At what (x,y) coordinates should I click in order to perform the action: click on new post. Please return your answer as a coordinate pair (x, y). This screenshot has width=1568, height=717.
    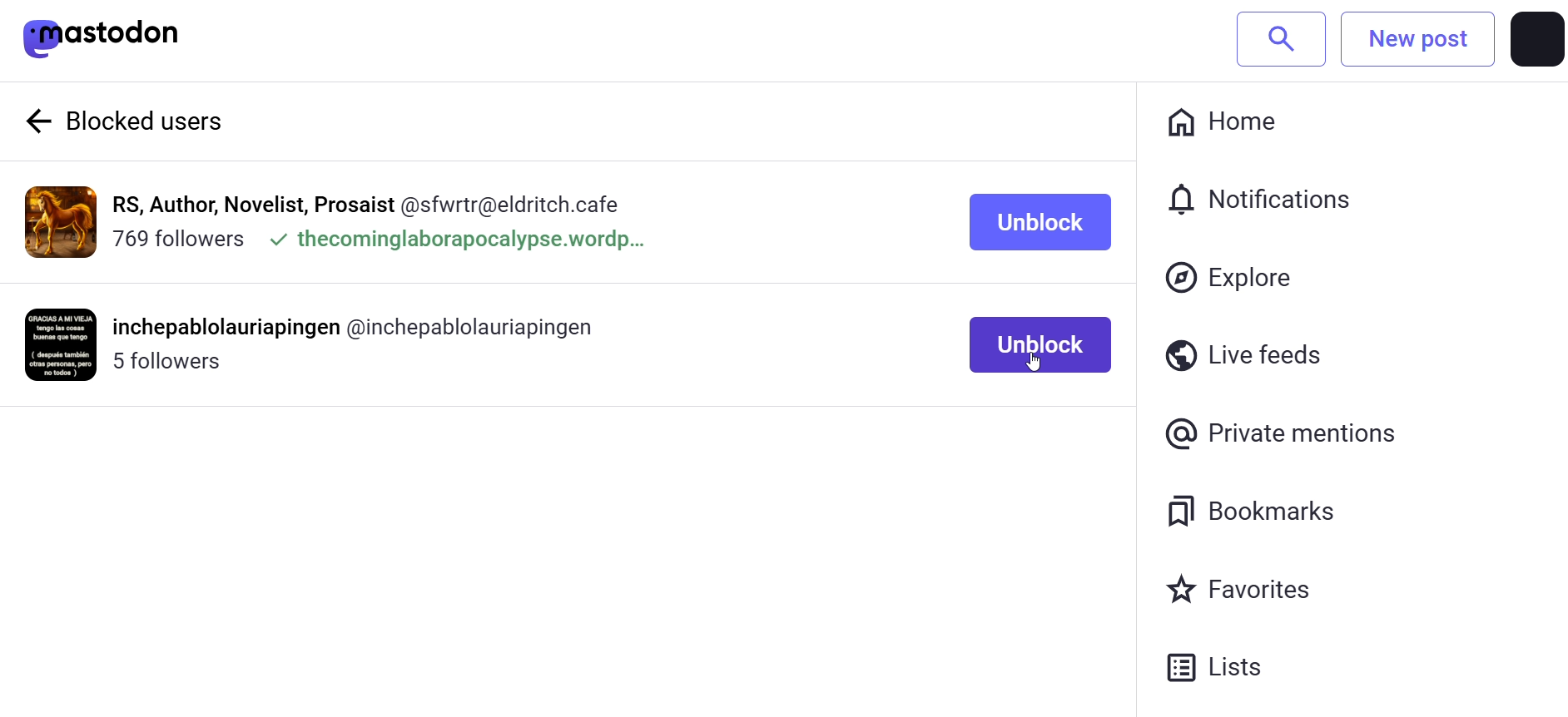
    Looking at the image, I should click on (1417, 39).